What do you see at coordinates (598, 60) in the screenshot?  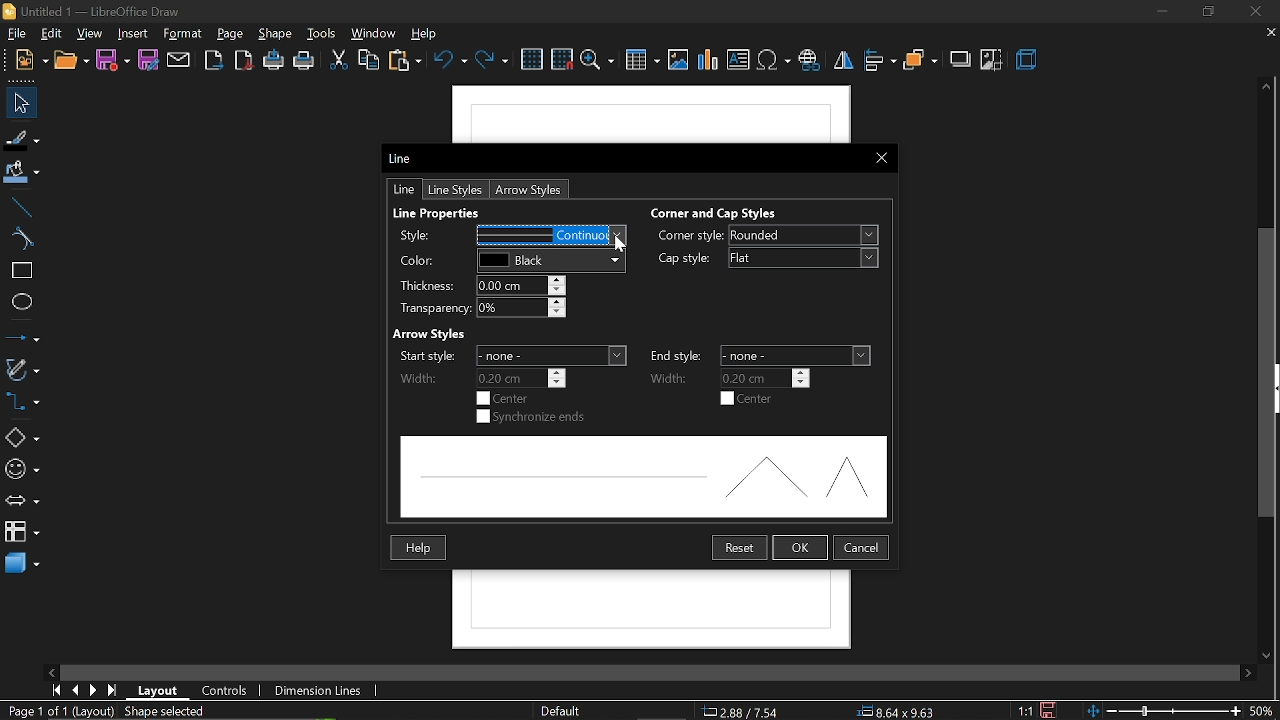 I see `zoom` at bounding box center [598, 60].